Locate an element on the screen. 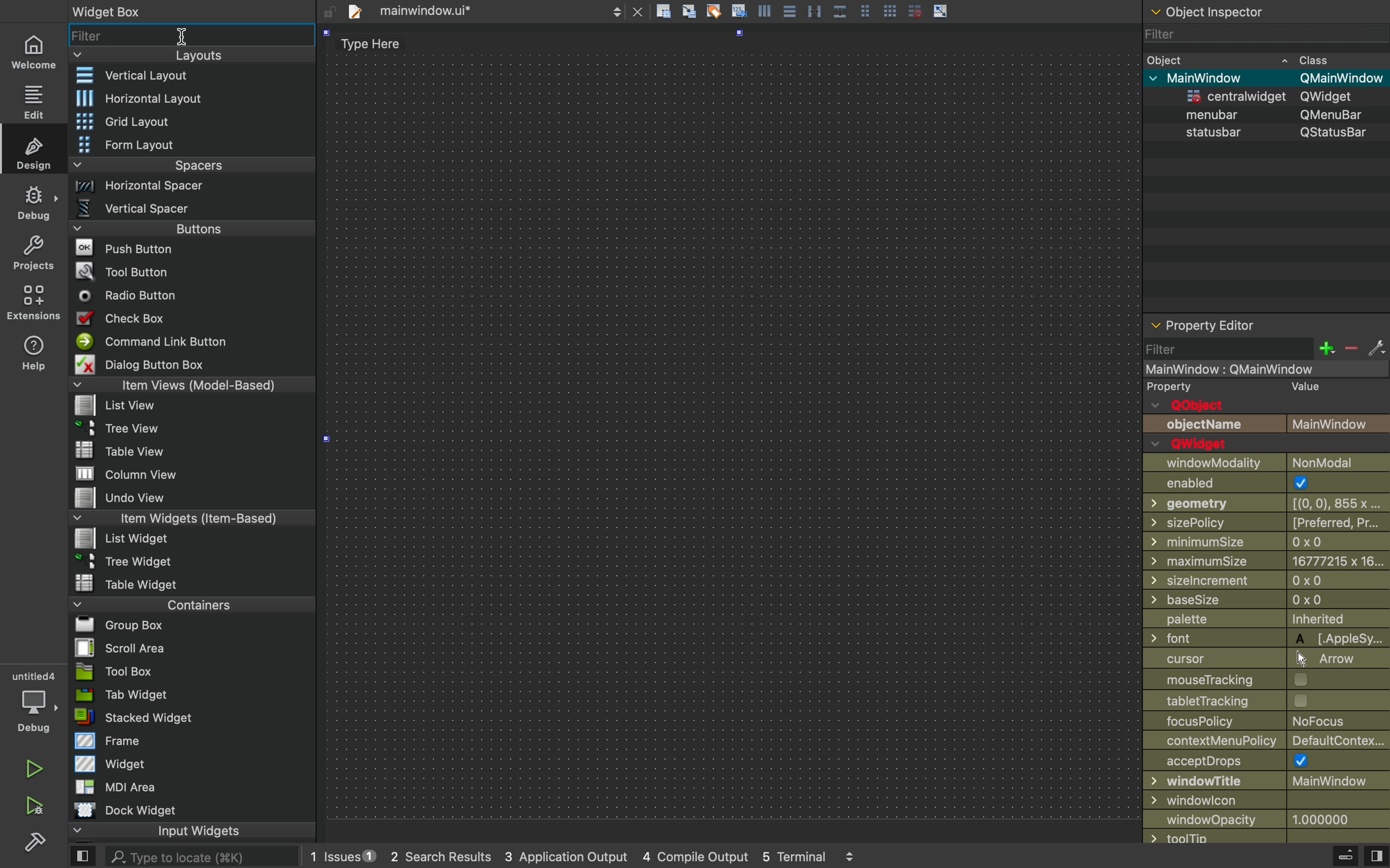 This screenshot has width=1390, height=868. horizontal spacer is located at coordinates (190, 184).